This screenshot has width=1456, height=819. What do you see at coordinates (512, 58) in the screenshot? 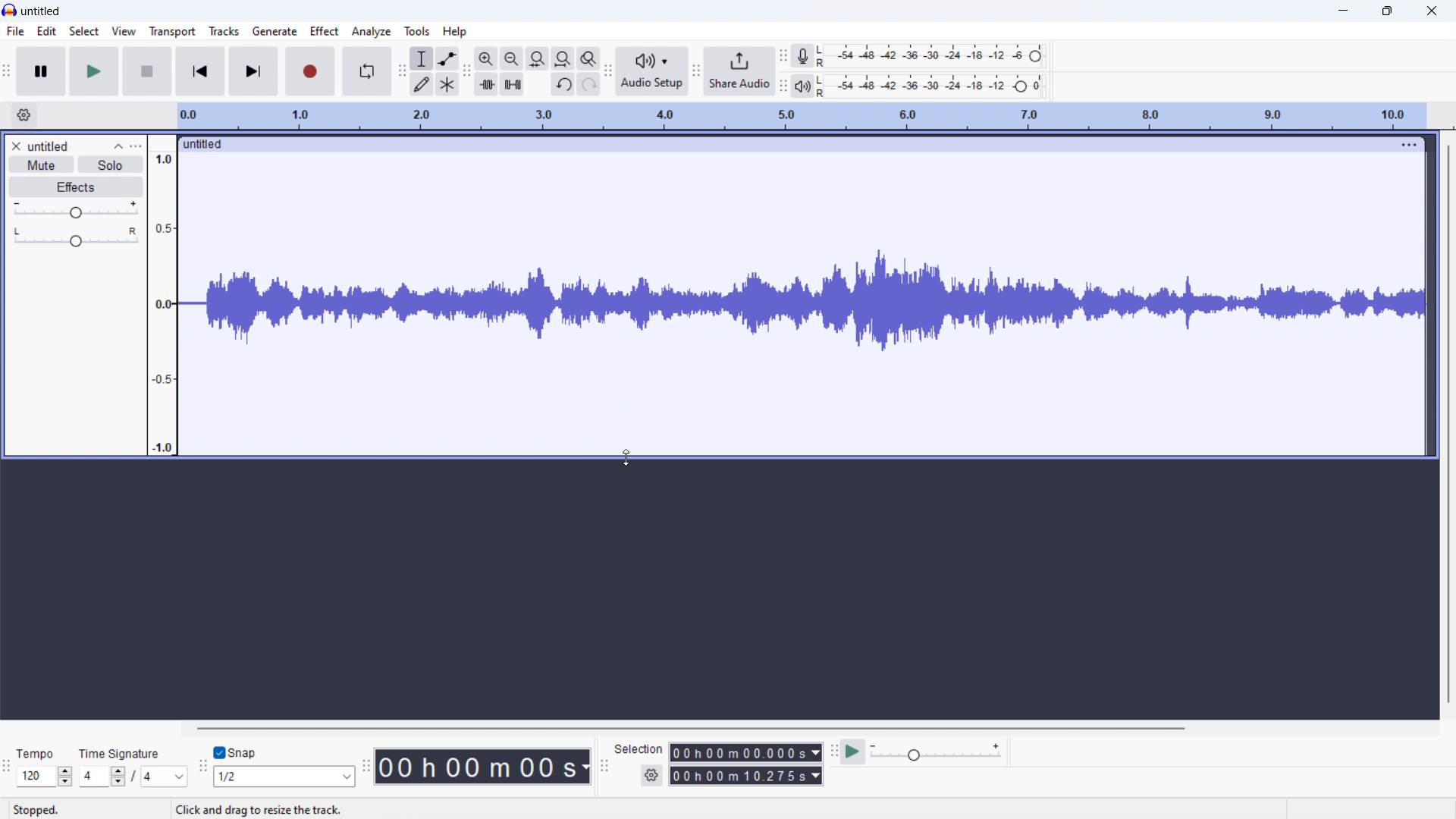
I see `zoom out` at bounding box center [512, 58].